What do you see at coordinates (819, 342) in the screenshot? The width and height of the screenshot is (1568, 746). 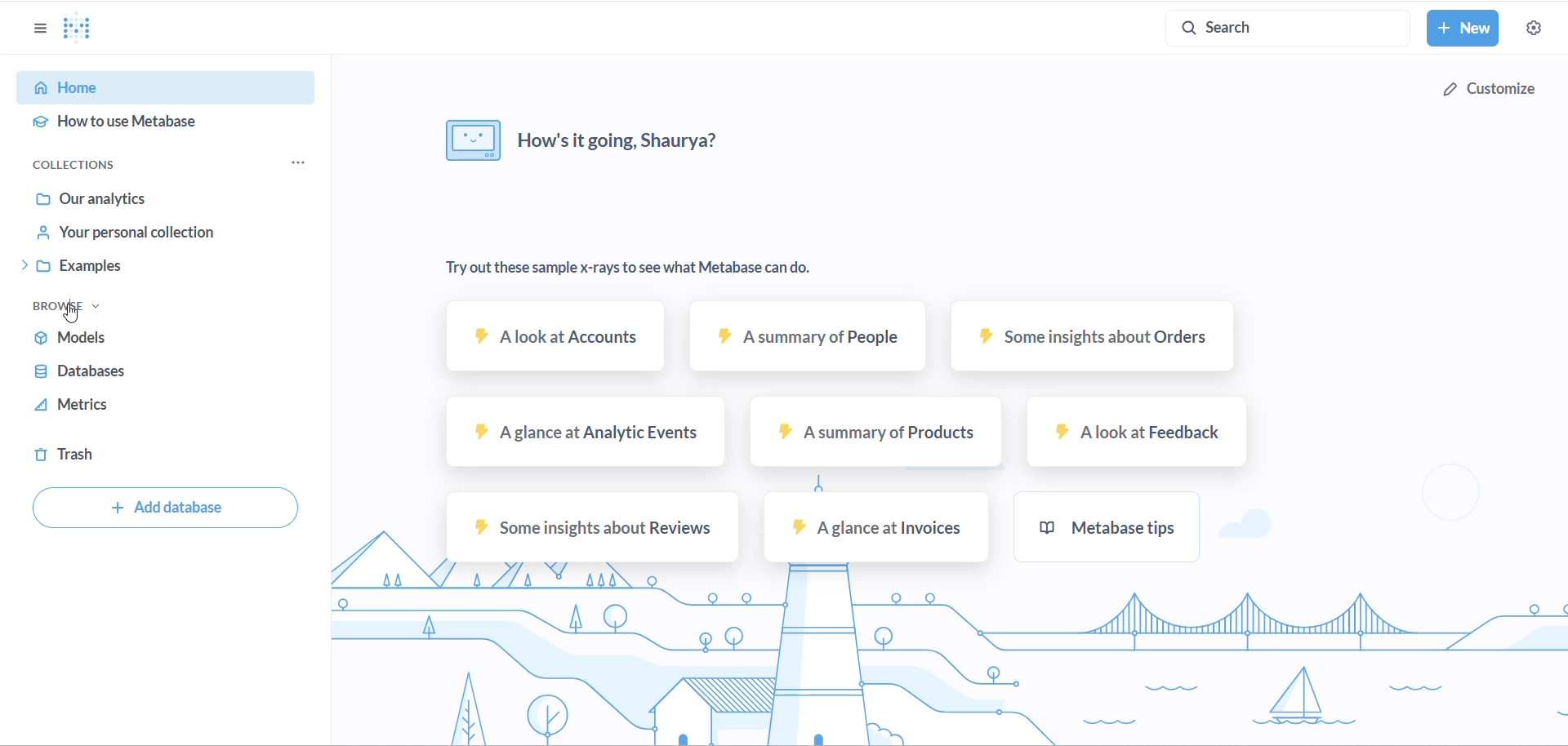 I see `A summary of people text` at bounding box center [819, 342].